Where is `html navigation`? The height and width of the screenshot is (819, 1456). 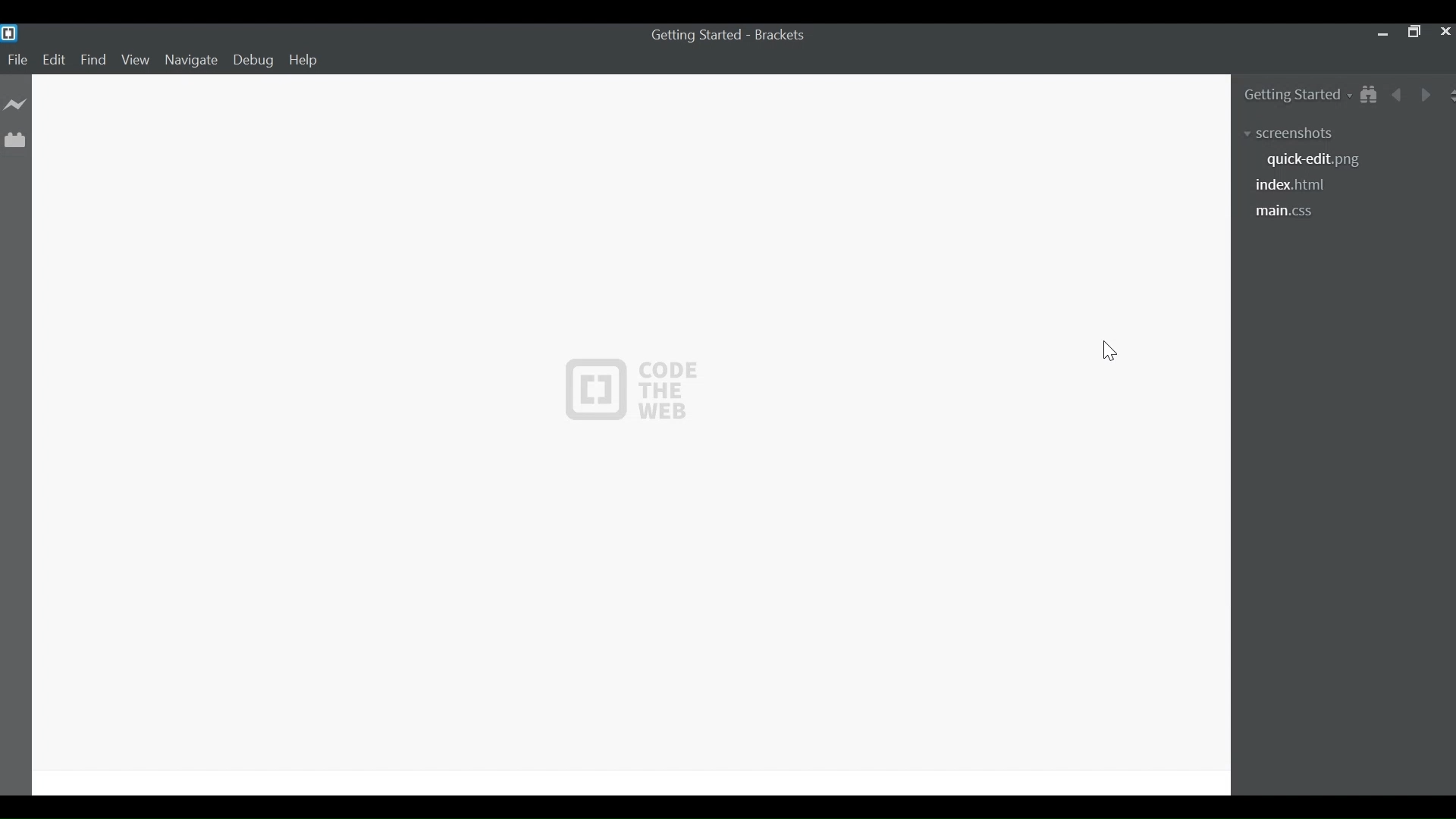 html navigation is located at coordinates (1297, 186).